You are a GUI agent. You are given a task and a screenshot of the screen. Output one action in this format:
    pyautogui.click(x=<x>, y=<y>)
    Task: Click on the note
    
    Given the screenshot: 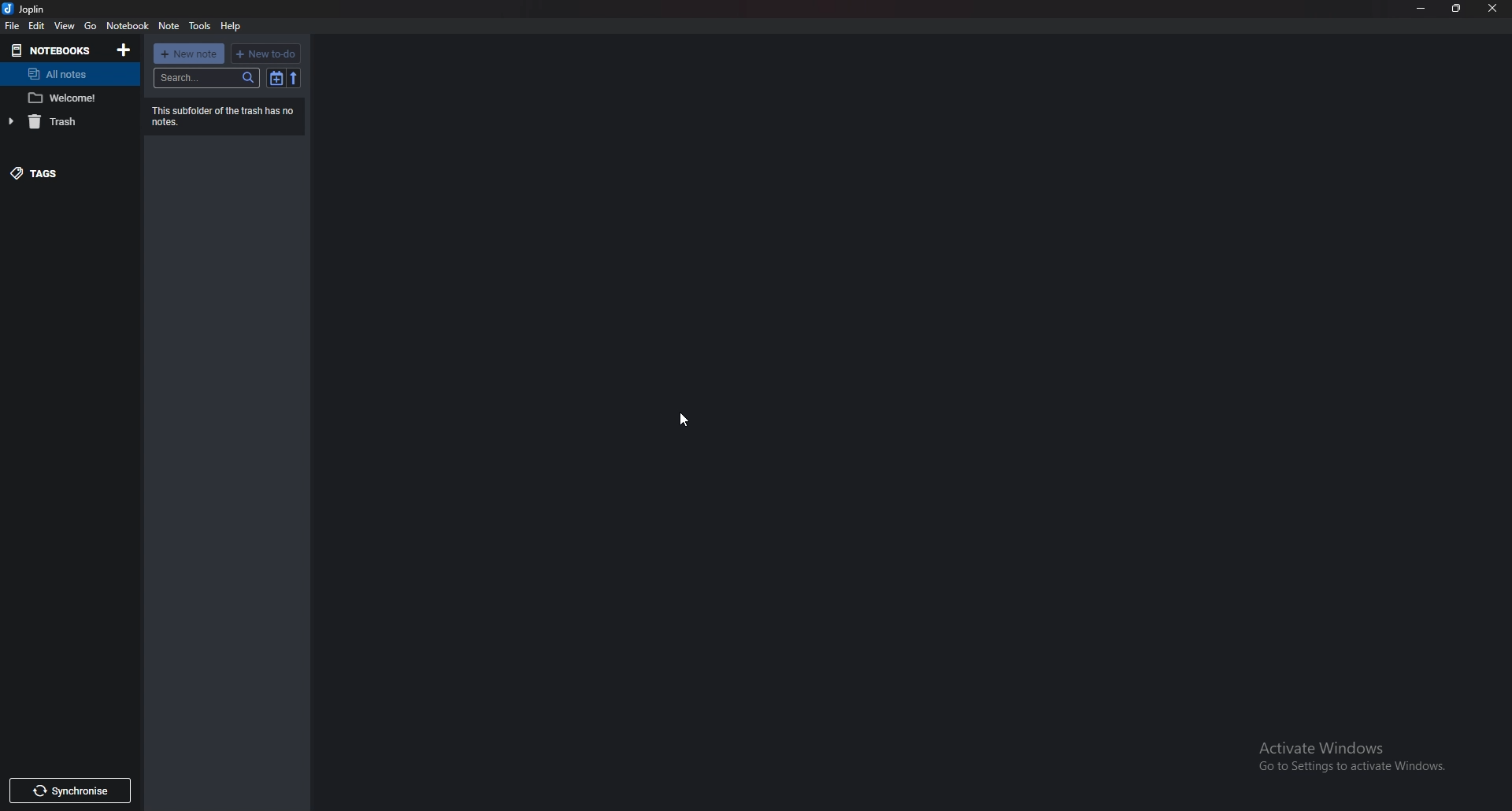 What is the action you would take?
    pyautogui.click(x=169, y=25)
    